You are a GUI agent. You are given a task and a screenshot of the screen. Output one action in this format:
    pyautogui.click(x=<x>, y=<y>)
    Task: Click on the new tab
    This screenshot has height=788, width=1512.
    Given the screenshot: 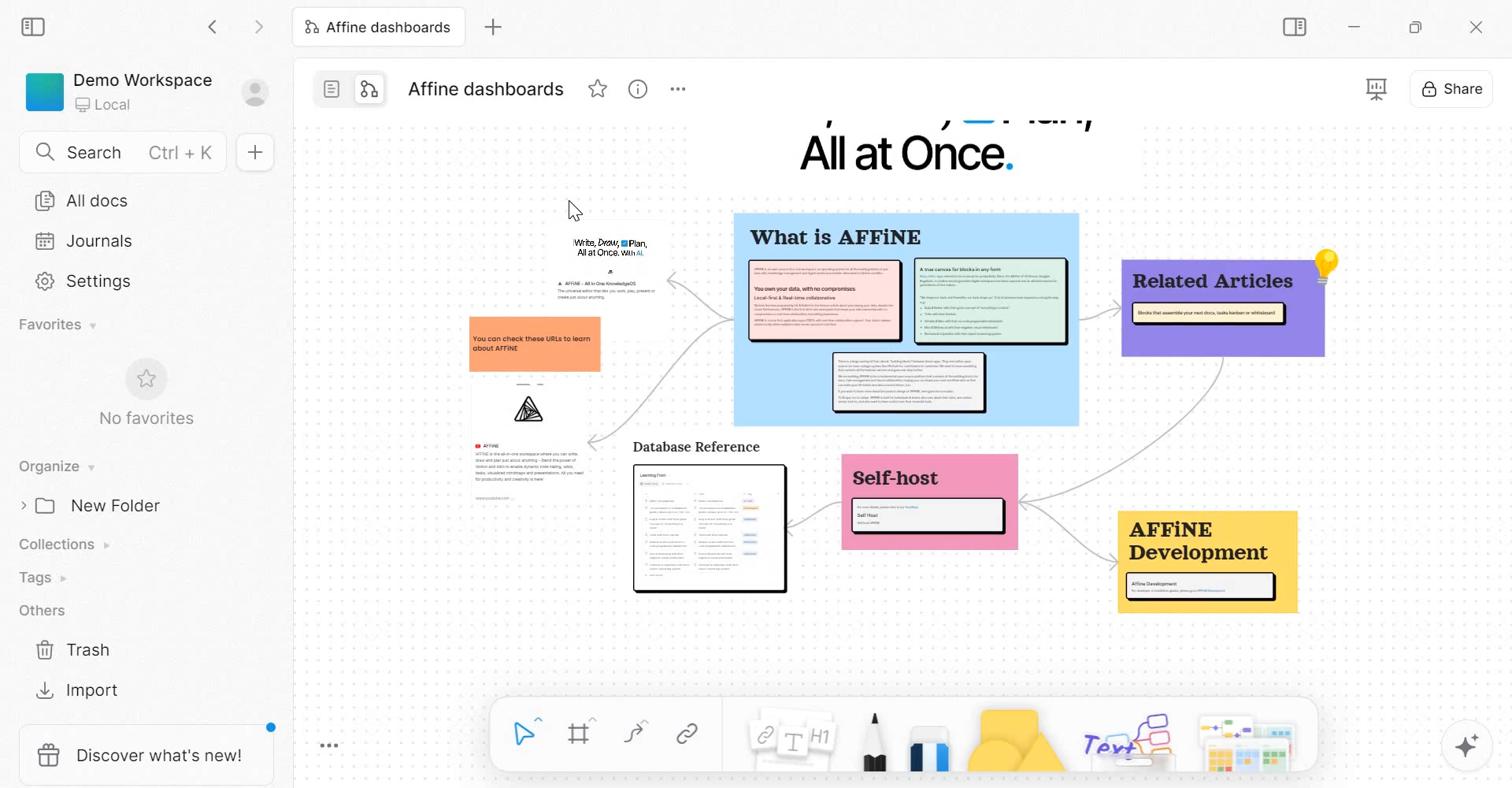 What is the action you would take?
    pyautogui.click(x=495, y=28)
    